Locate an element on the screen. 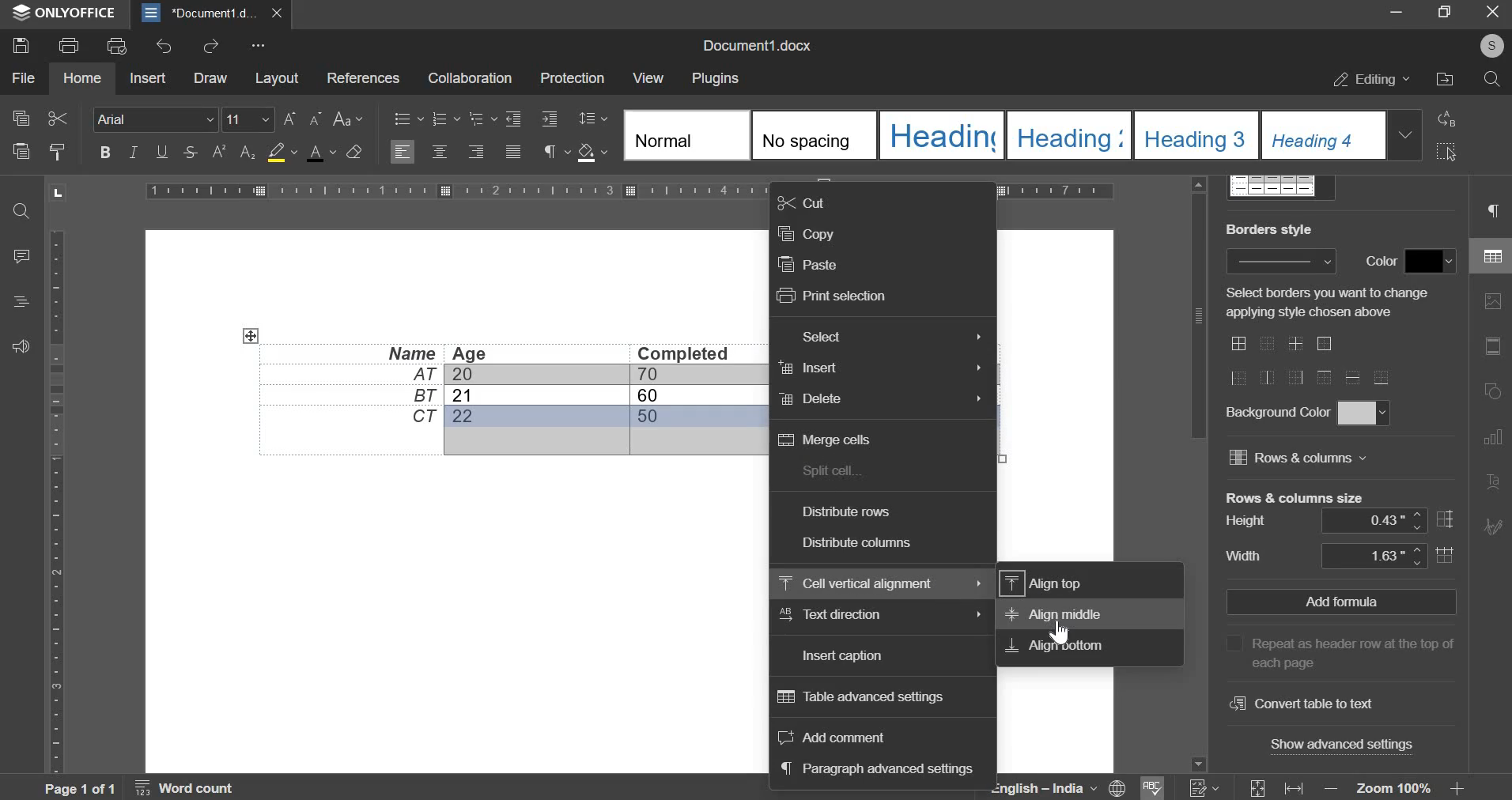  convert table to text is located at coordinates (1302, 704).